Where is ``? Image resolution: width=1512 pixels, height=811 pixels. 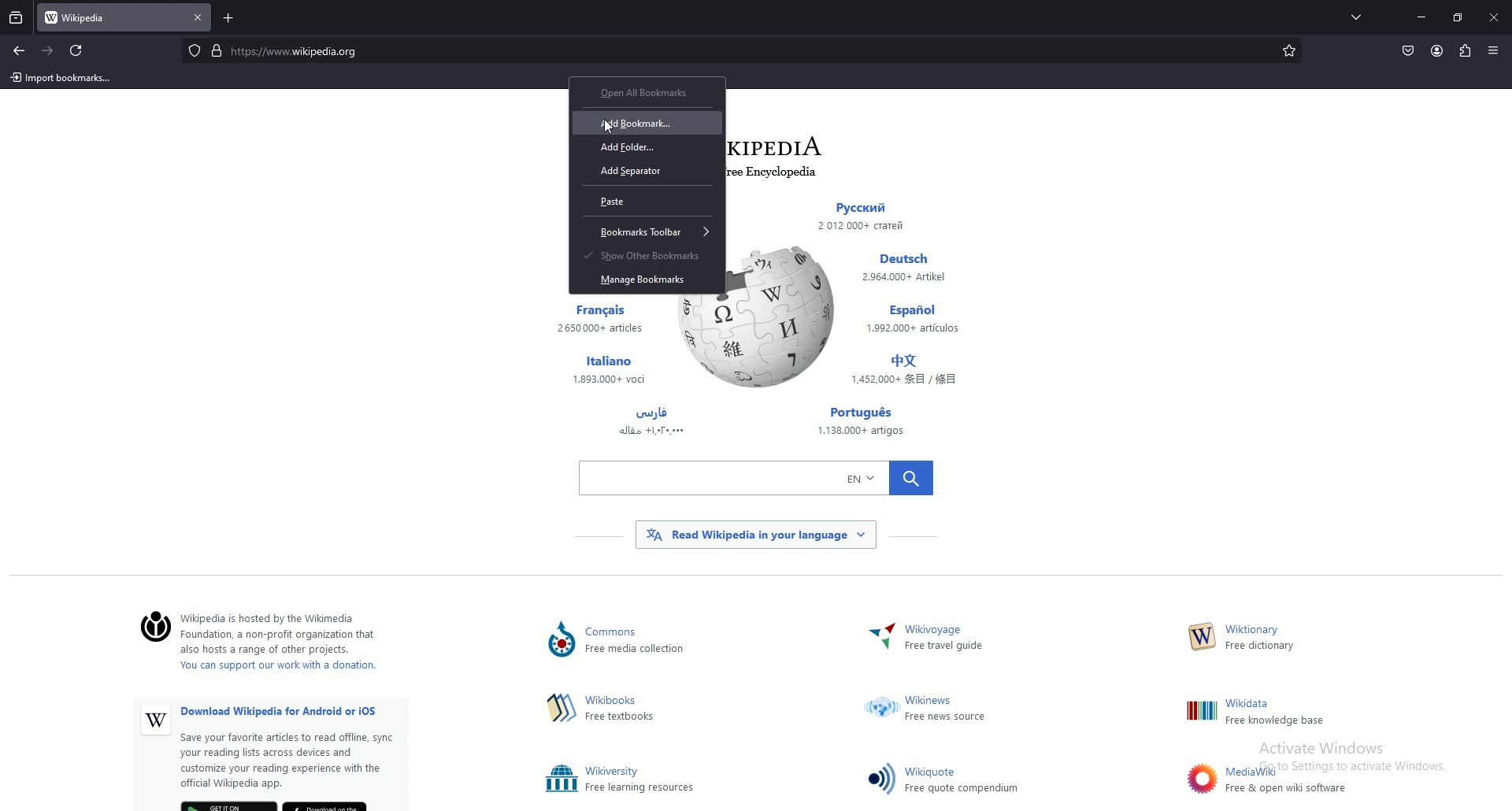
 is located at coordinates (880, 220).